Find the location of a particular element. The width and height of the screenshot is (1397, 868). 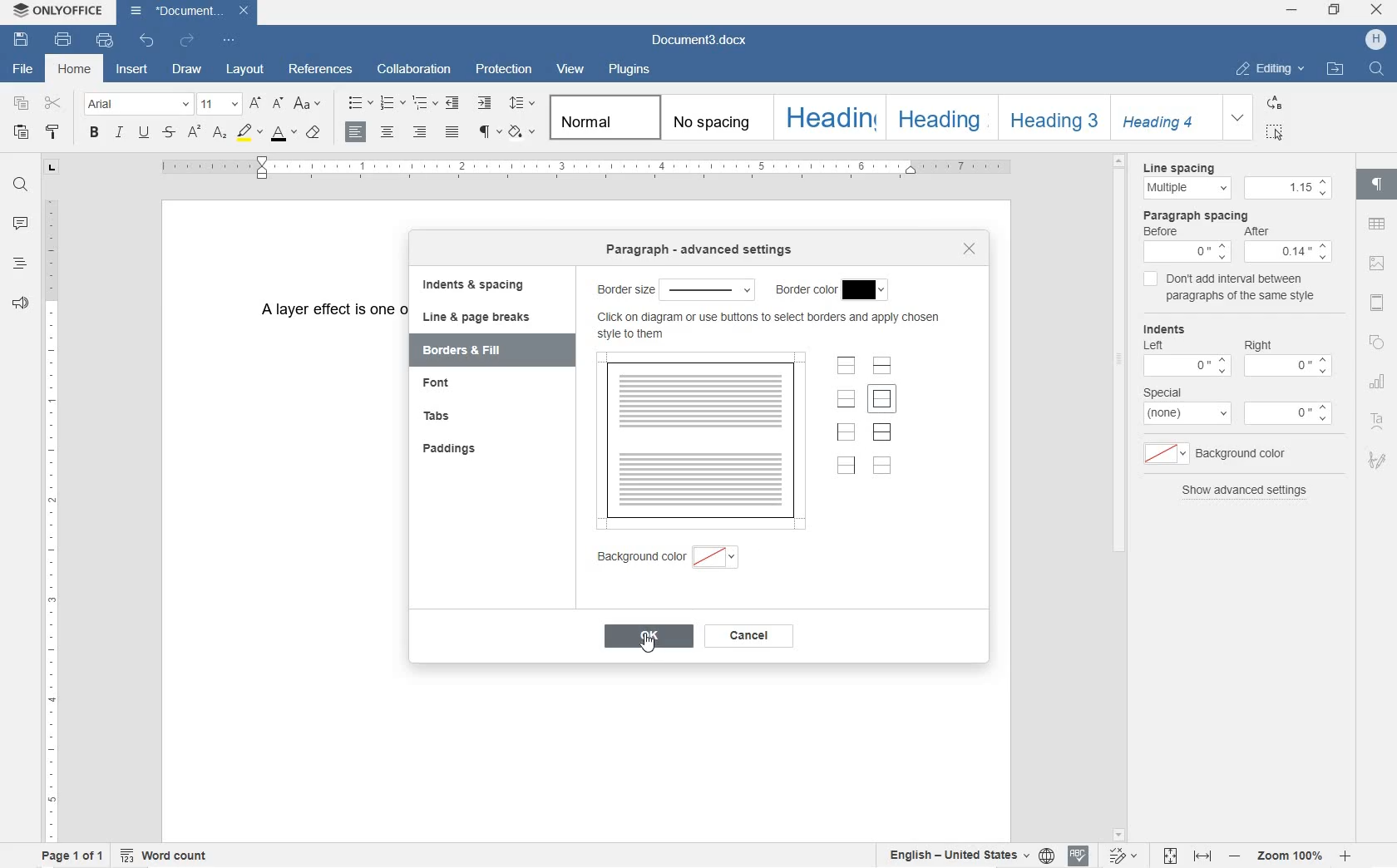

set outer and inner borders is located at coordinates (883, 433).